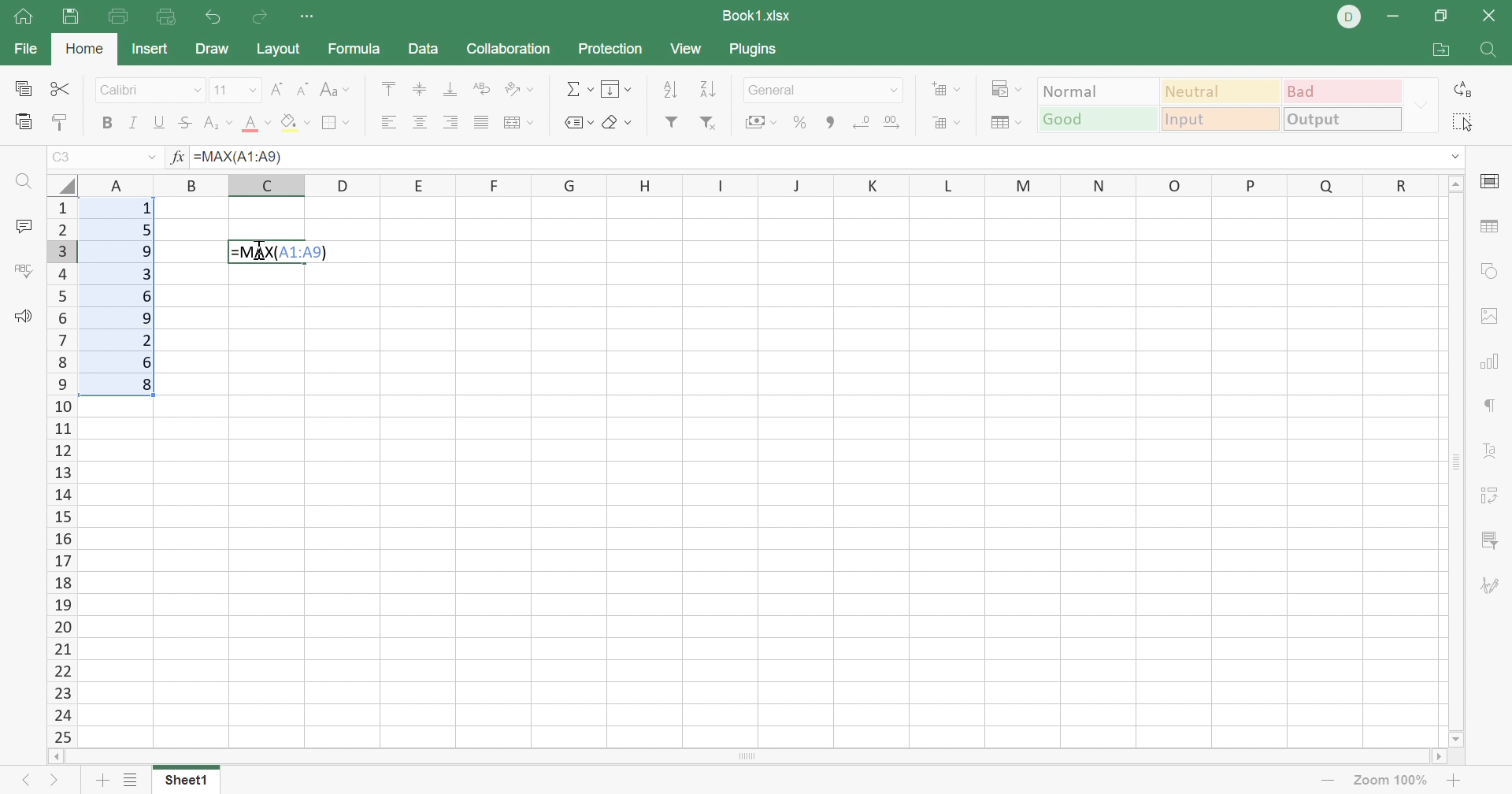  I want to click on 3, so click(144, 276).